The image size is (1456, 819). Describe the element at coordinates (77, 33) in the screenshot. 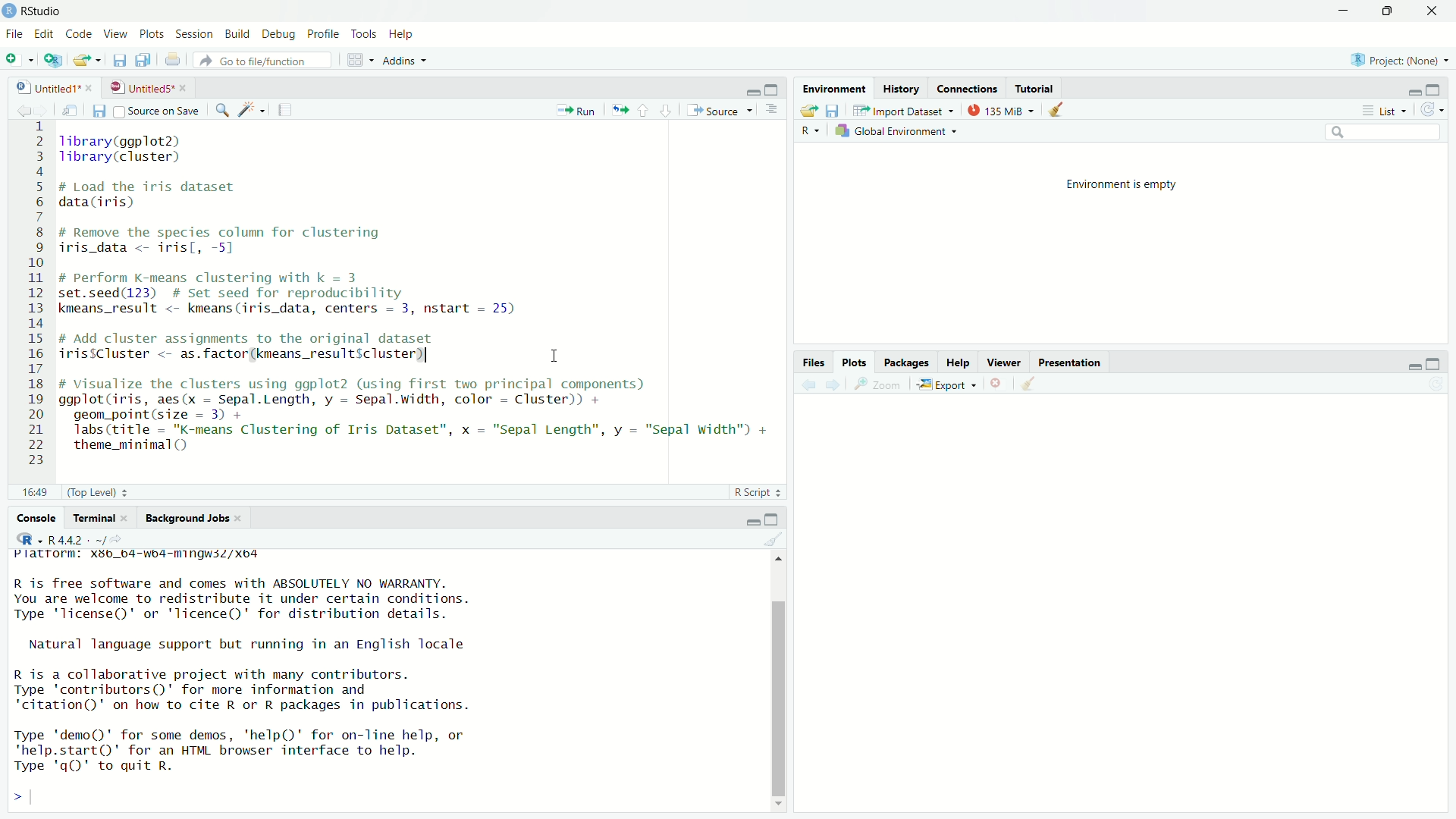

I see `code` at that location.